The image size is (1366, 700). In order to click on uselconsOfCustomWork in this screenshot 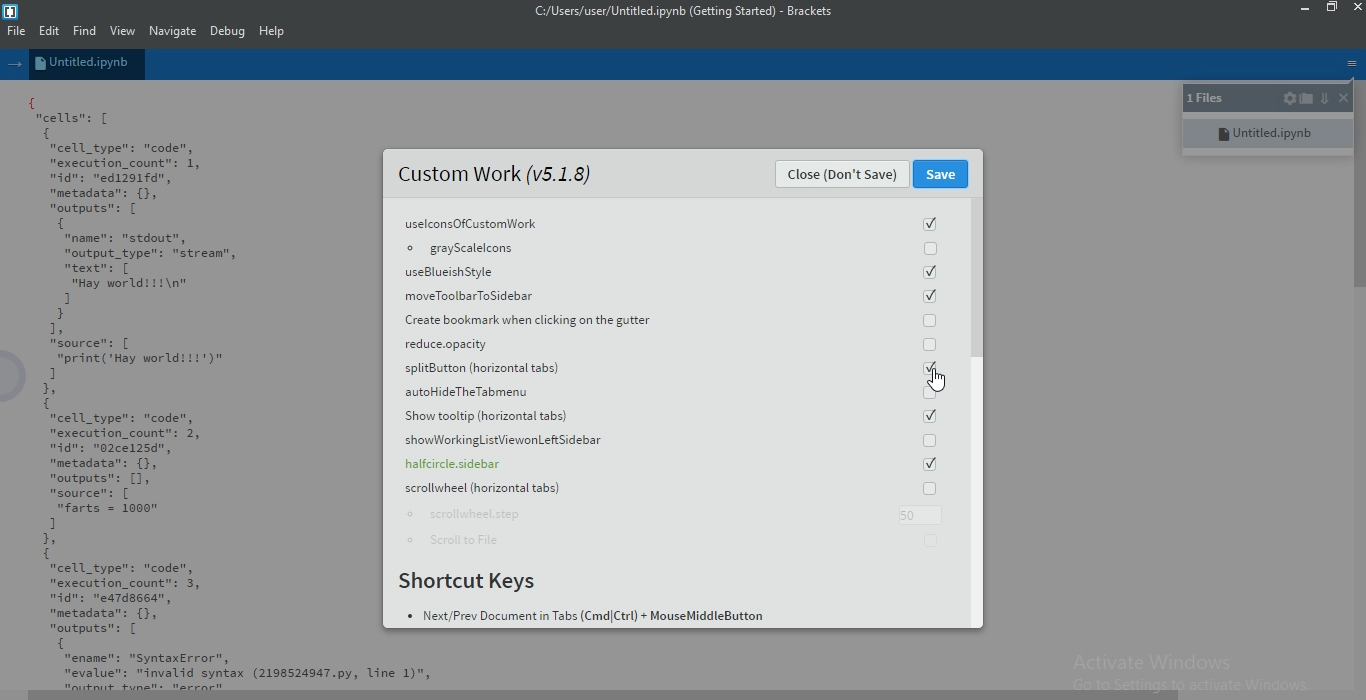, I will do `click(675, 226)`.